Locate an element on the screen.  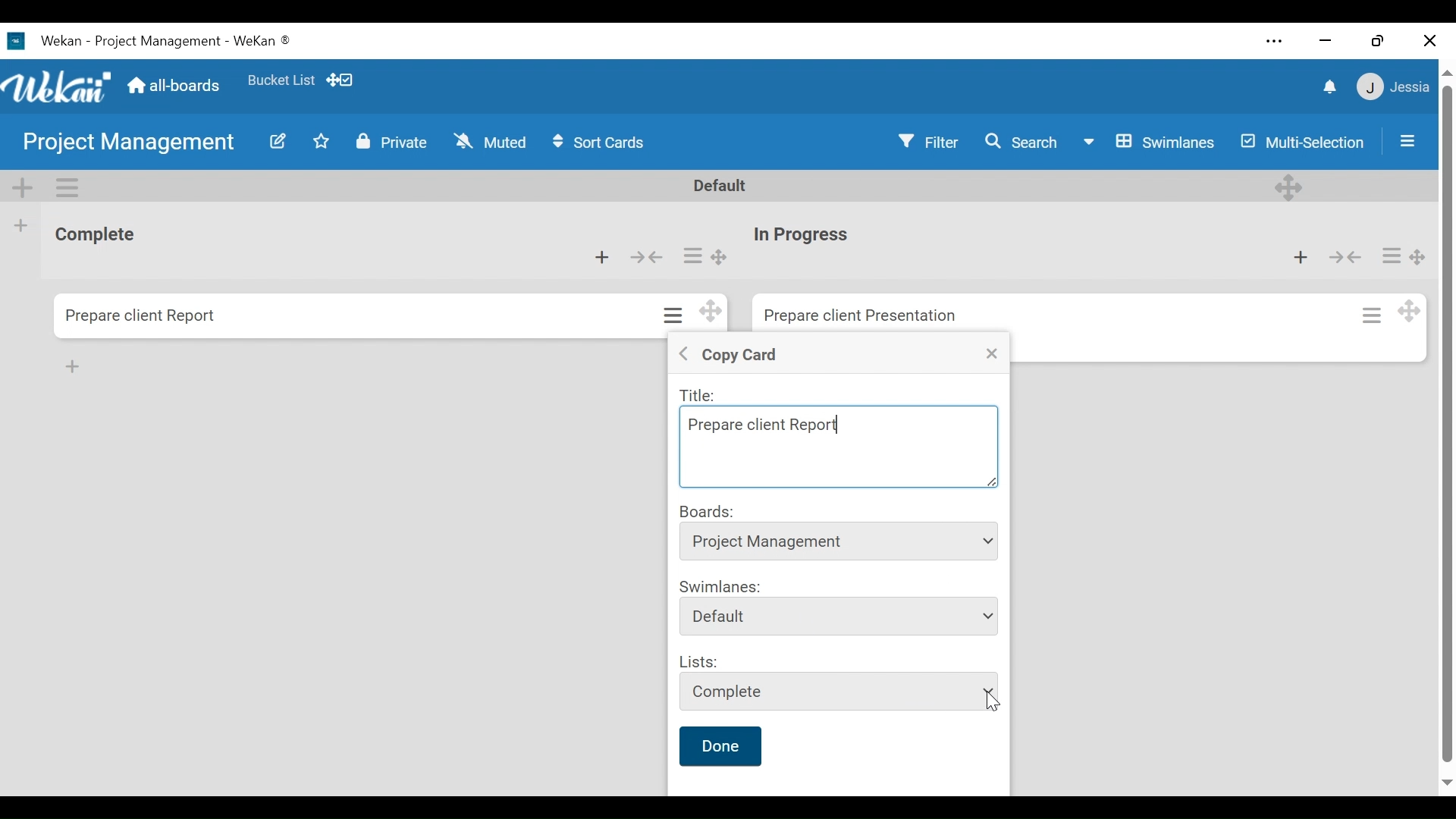
Card actions is located at coordinates (673, 316).